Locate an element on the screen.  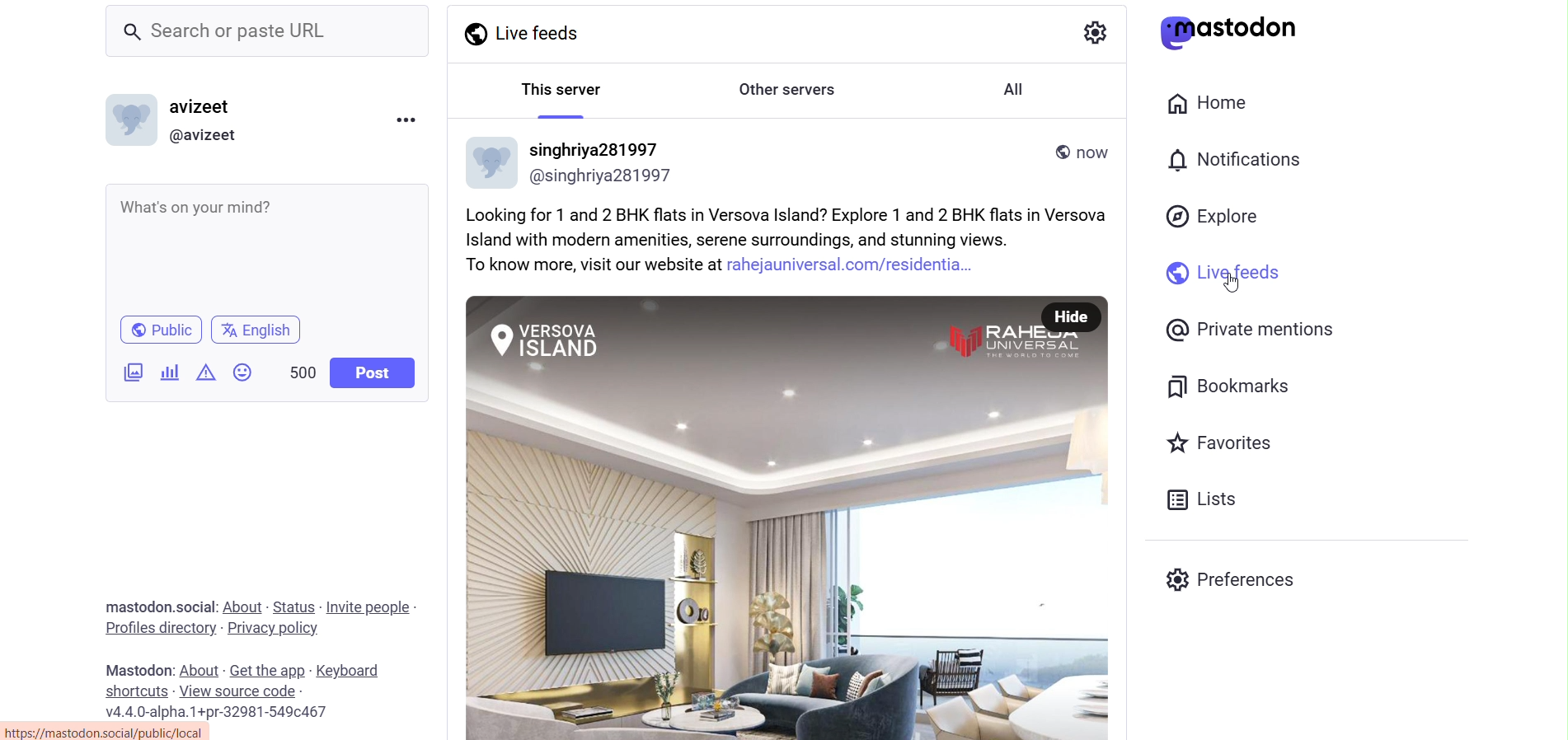
social is located at coordinates (194, 606).